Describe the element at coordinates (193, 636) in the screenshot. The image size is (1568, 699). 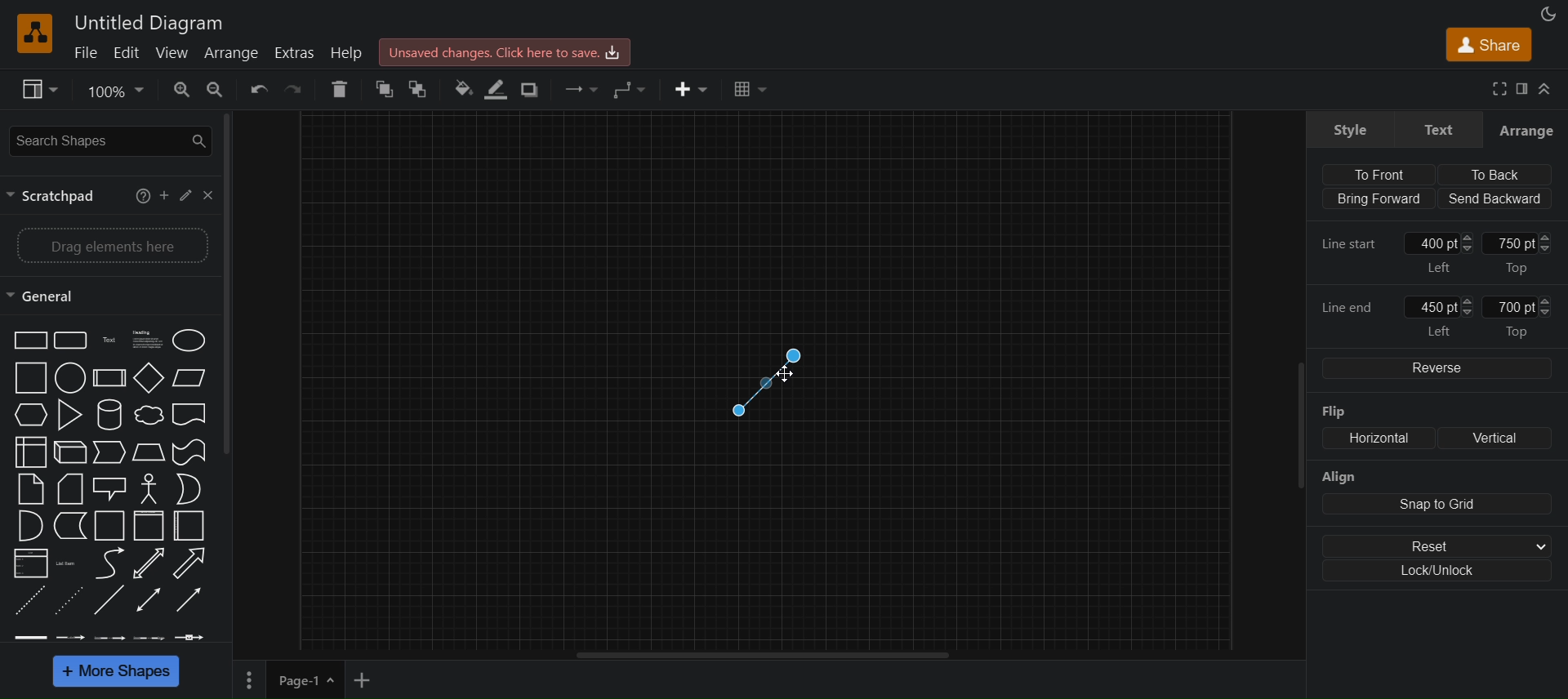
I see `connector 5` at that location.